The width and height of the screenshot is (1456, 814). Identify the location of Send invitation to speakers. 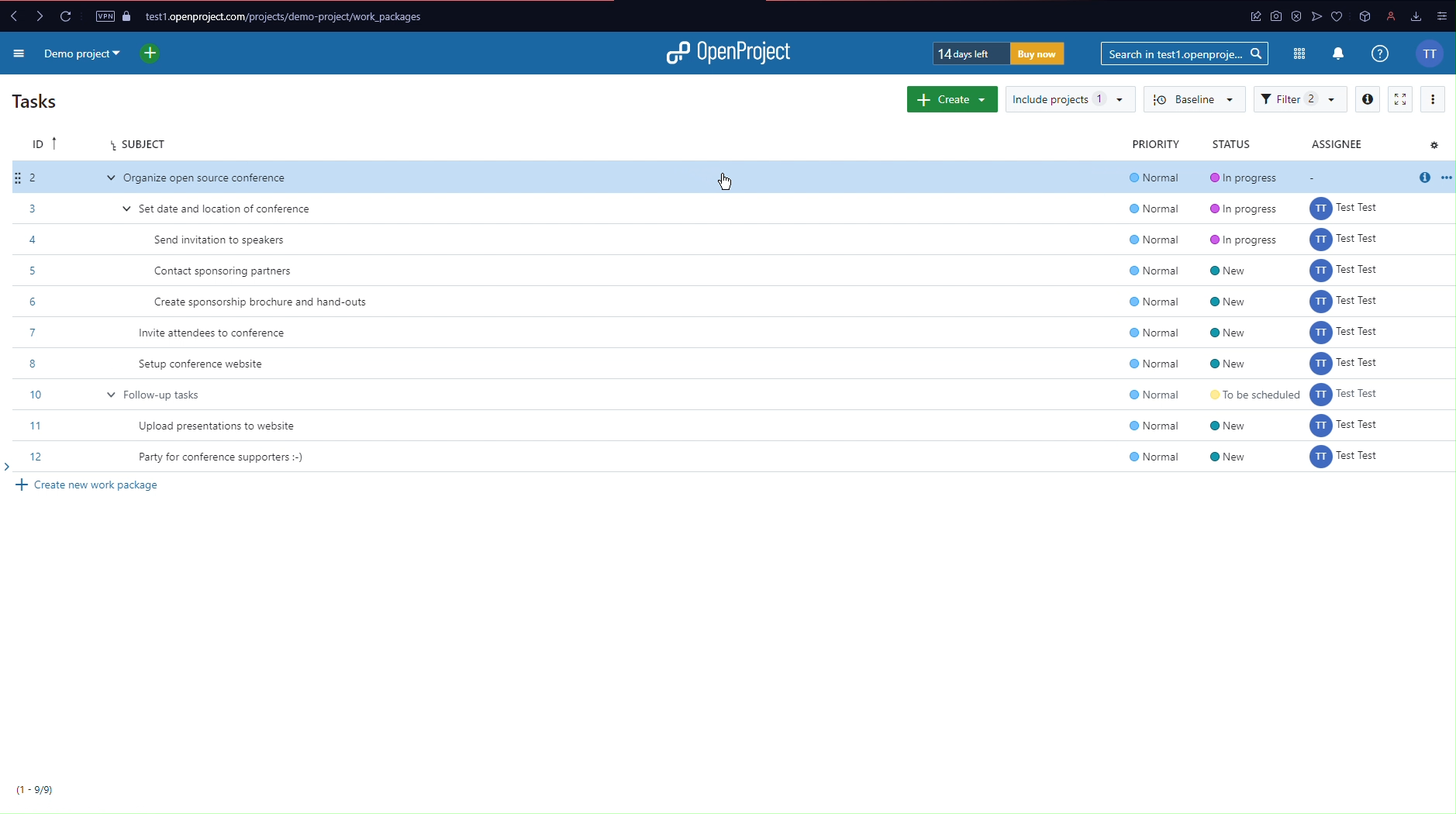
(225, 239).